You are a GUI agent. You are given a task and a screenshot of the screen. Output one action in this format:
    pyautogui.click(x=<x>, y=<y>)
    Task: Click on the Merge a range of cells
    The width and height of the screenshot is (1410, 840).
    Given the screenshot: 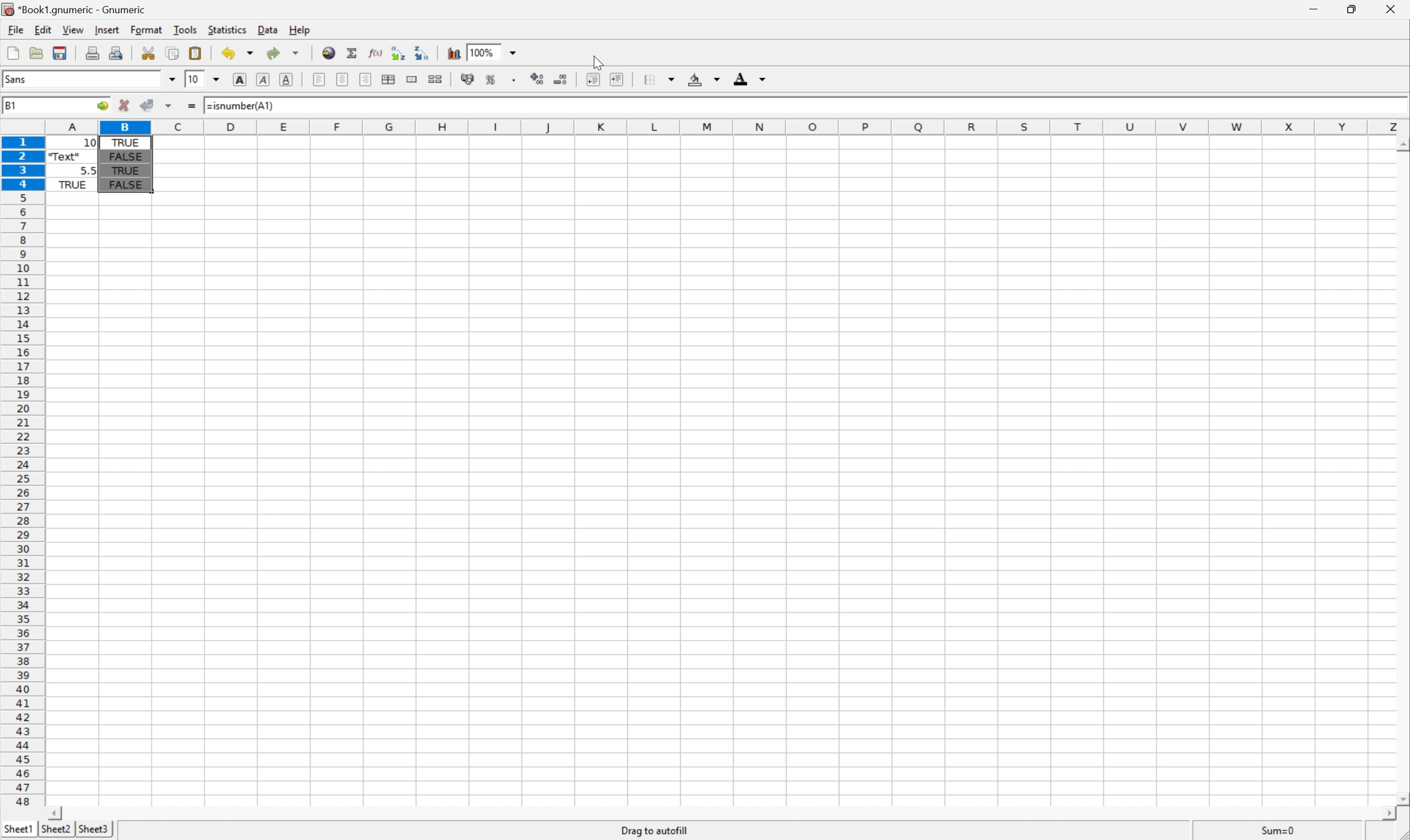 What is the action you would take?
    pyautogui.click(x=413, y=79)
    